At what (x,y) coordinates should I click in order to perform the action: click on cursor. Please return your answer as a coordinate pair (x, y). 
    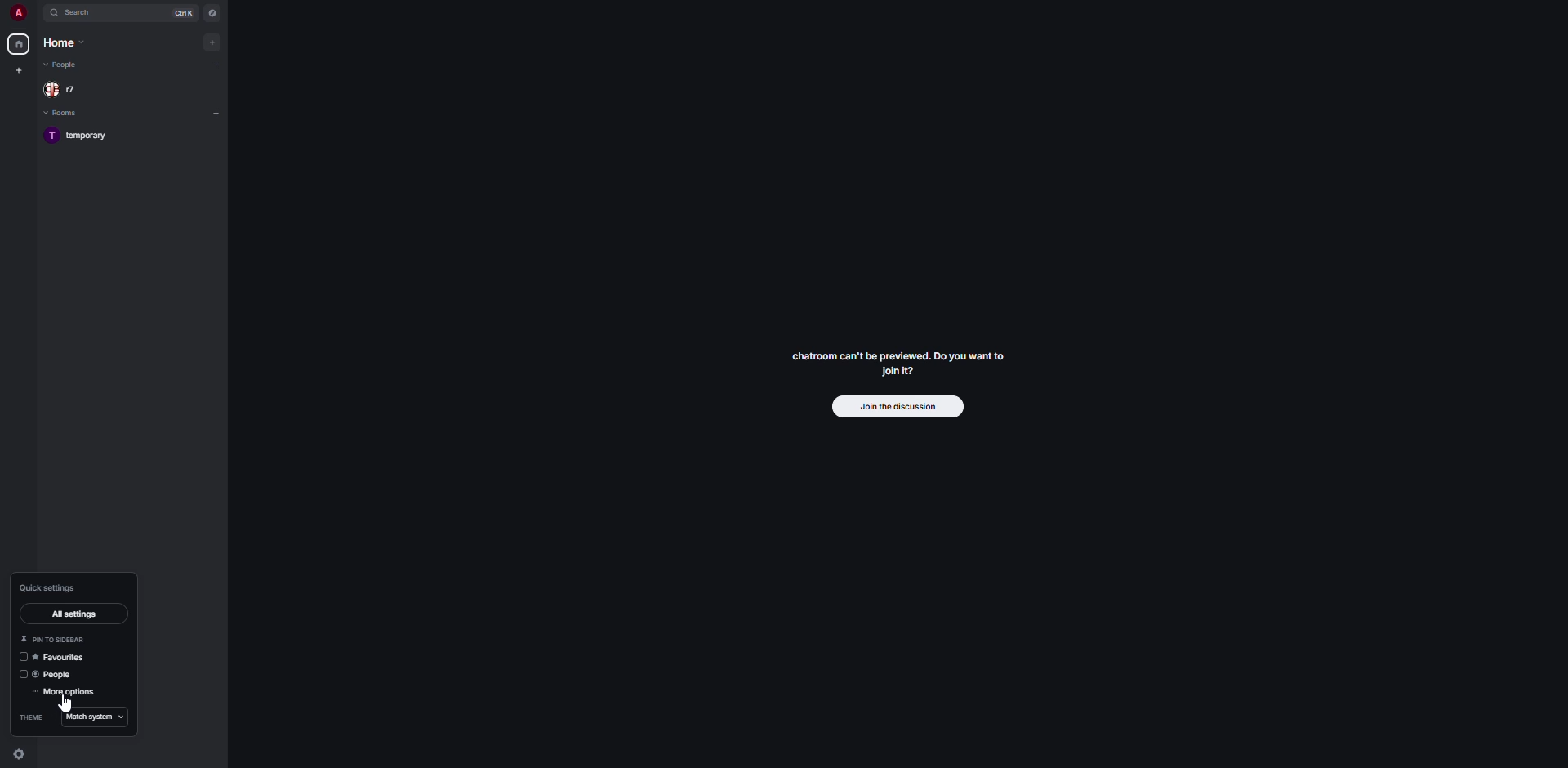
    Looking at the image, I should click on (67, 706).